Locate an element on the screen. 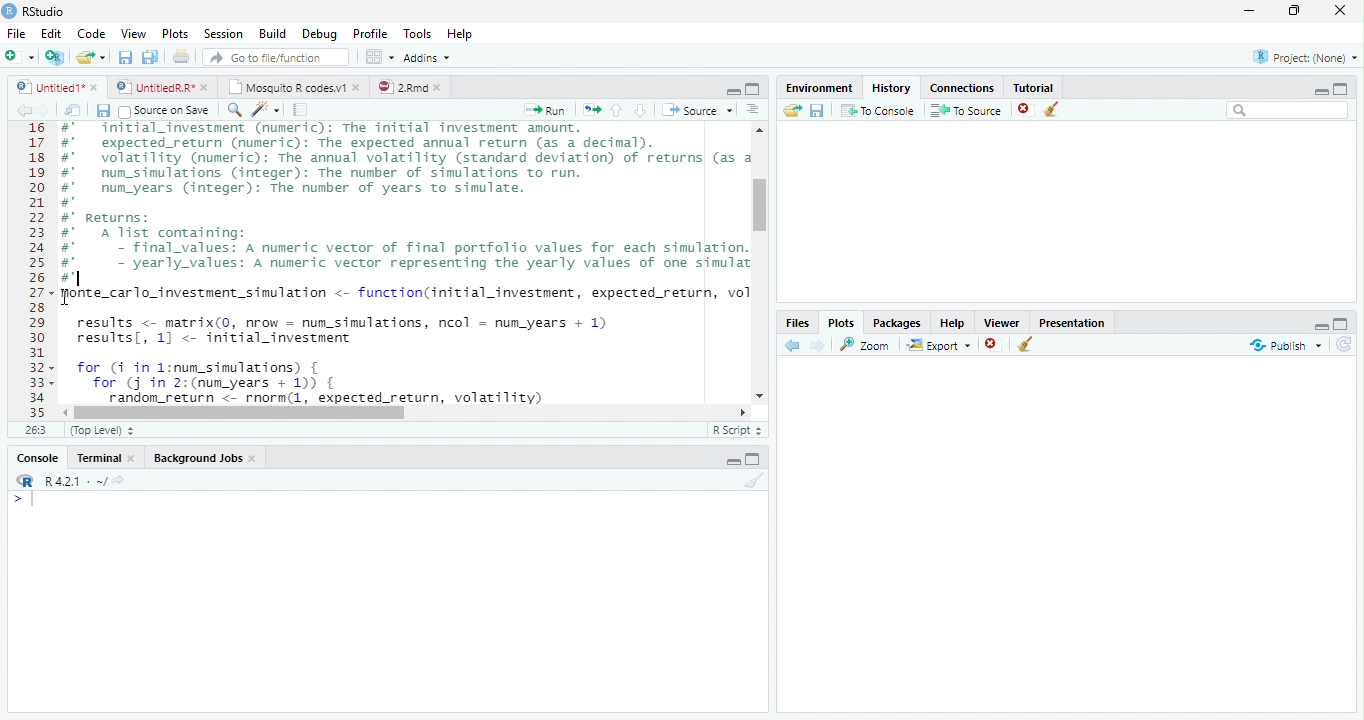 The width and height of the screenshot is (1364, 720). Next Plot is located at coordinates (818, 345).